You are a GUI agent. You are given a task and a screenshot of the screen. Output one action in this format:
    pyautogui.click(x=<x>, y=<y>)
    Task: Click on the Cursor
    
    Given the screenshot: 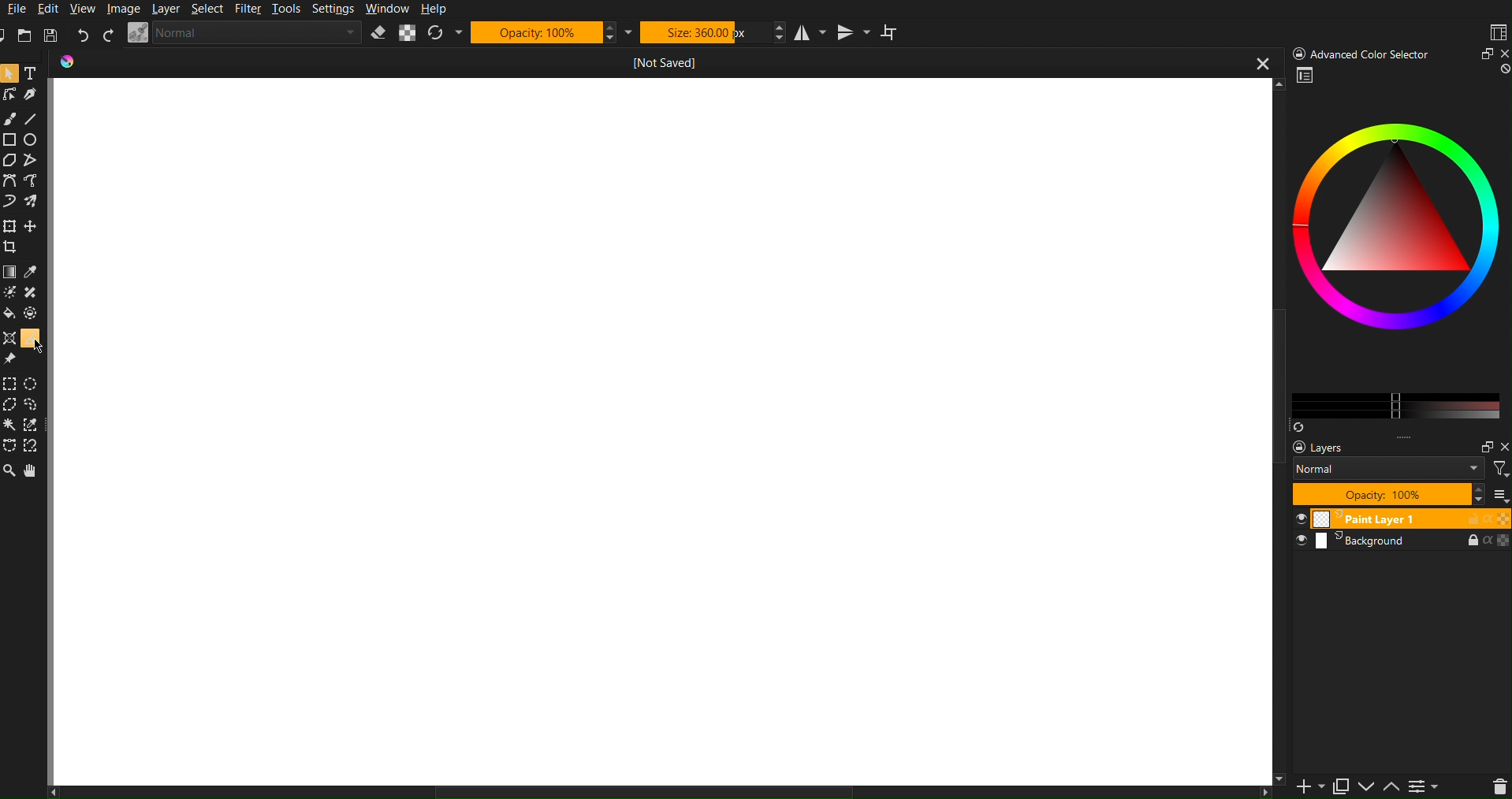 What is the action you would take?
    pyautogui.click(x=41, y=346)
    